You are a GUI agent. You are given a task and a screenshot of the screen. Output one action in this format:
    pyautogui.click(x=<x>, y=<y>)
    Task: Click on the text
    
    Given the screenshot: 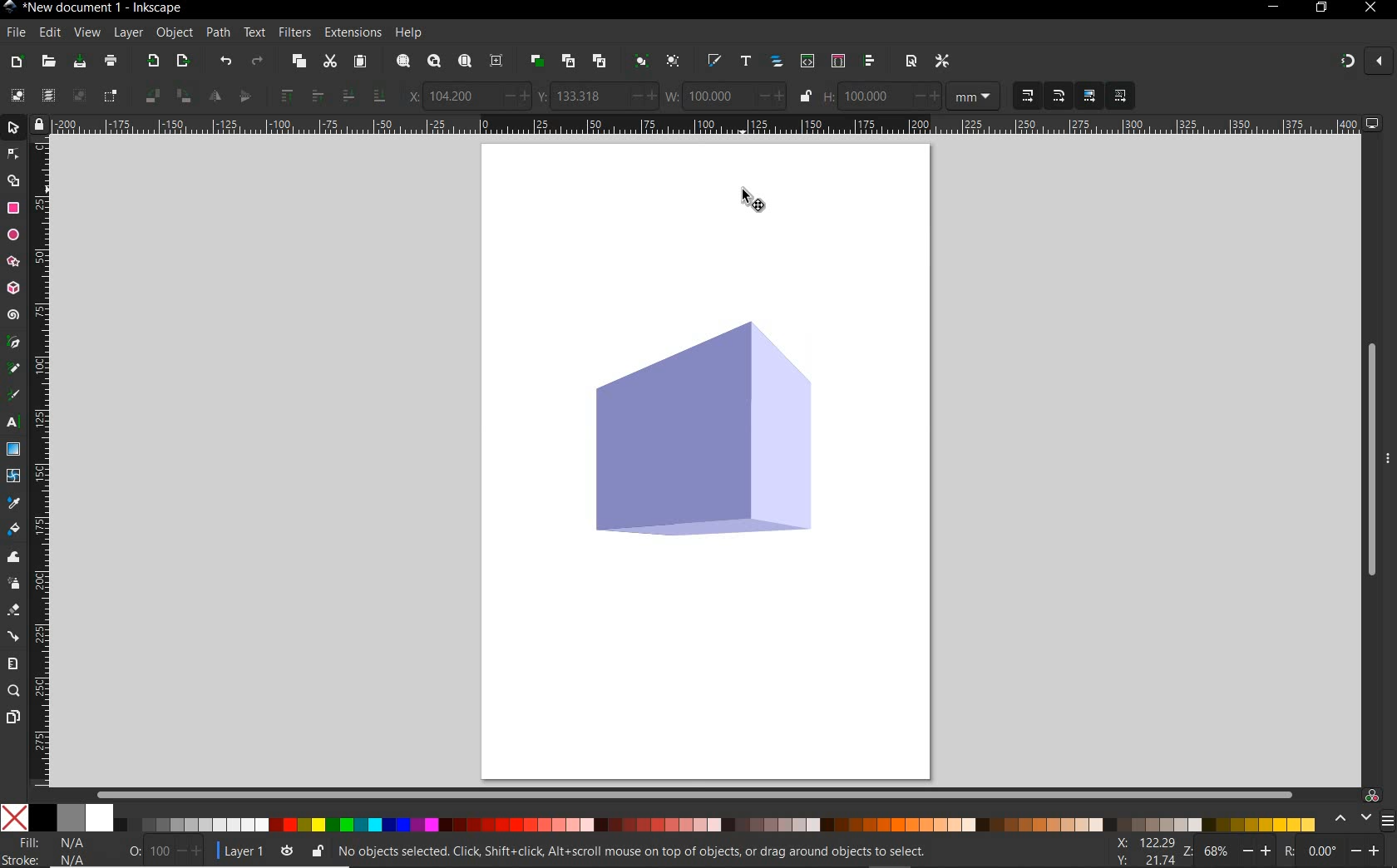 What is the action you would take?
    pyautogui.click(x=254, y=32)
    